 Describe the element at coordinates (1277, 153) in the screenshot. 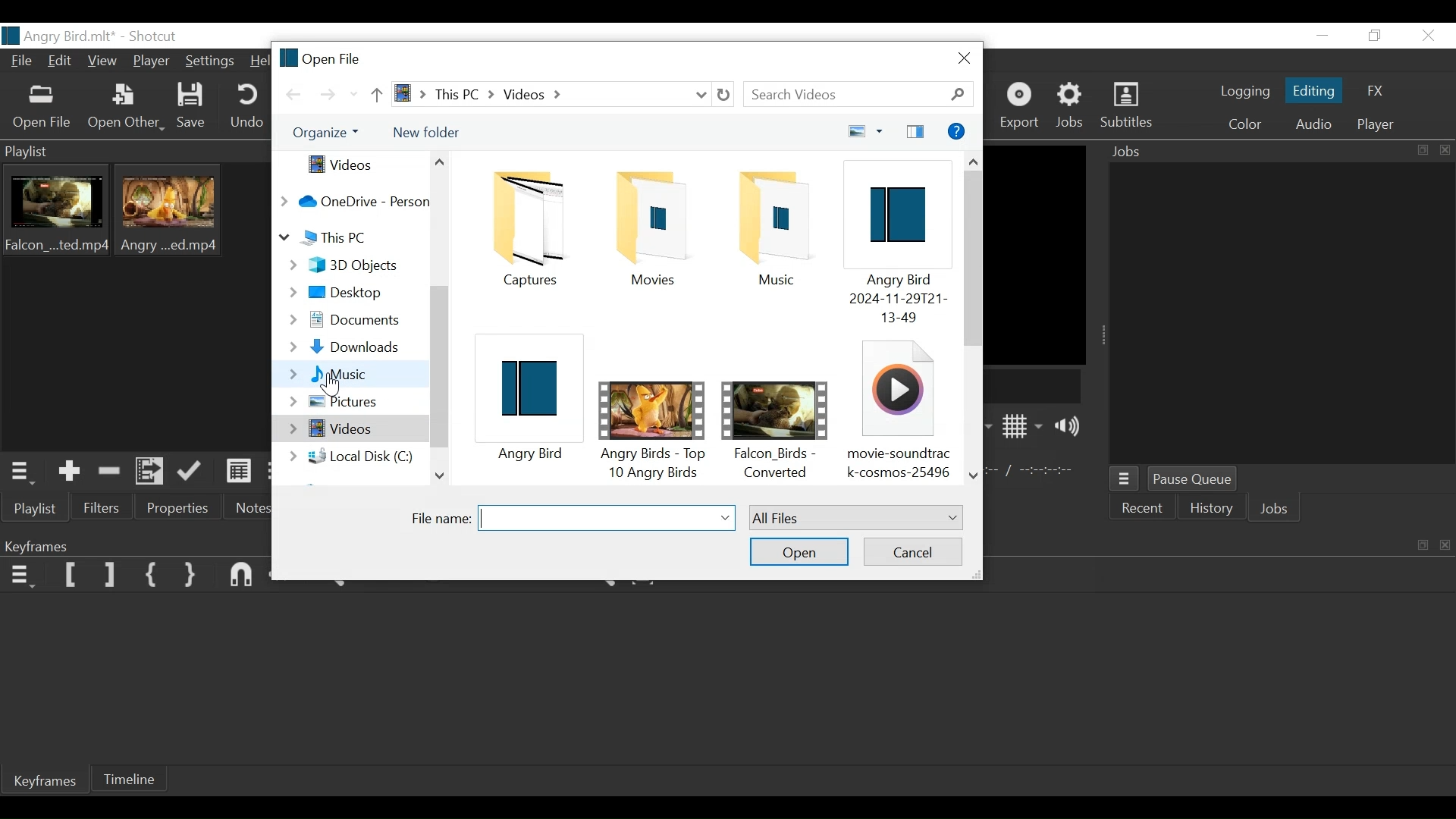

I see `Jobs Panel` at that location.